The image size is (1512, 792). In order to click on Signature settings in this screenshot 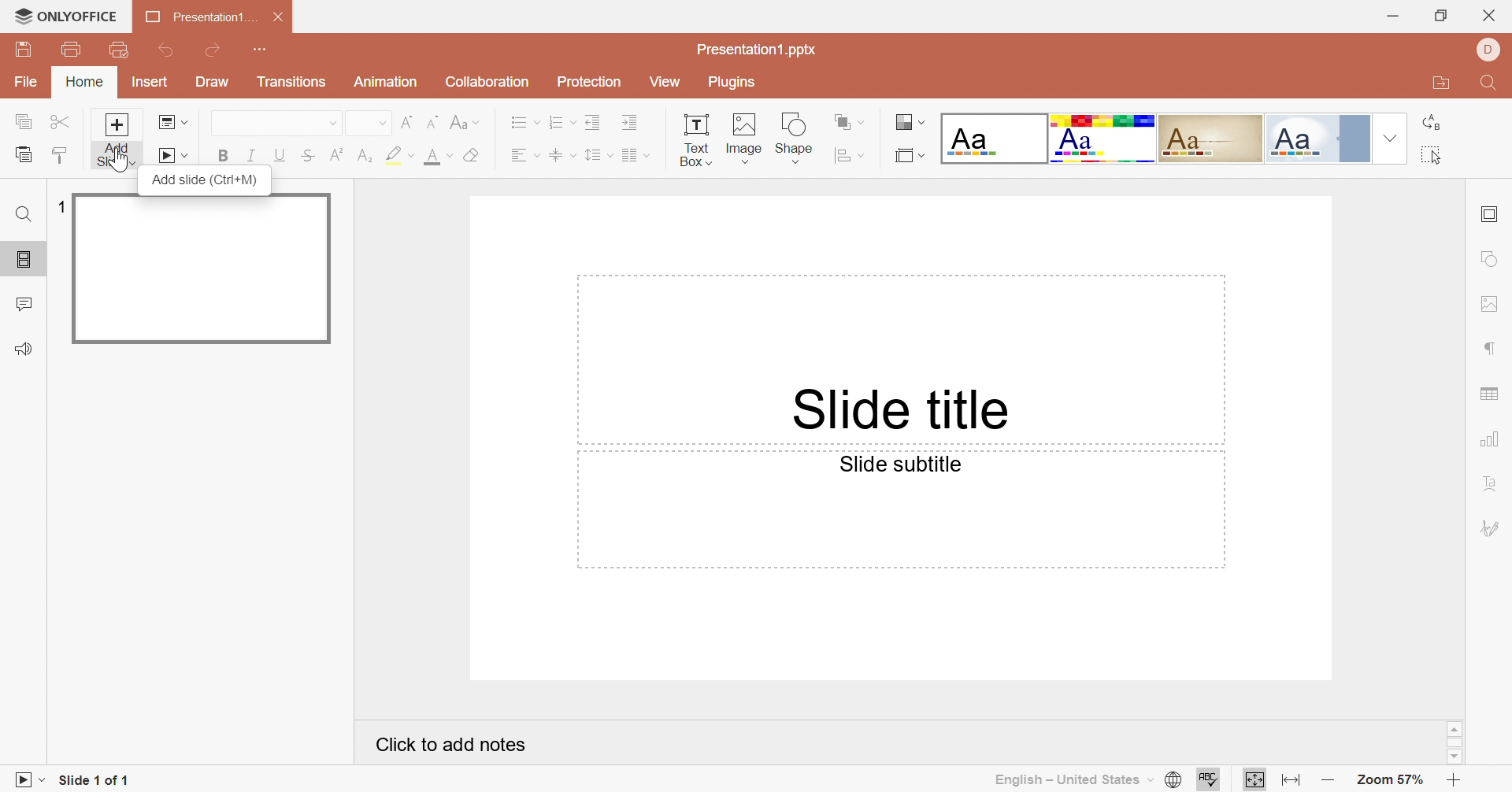, I will do `click(1493, 527)`.